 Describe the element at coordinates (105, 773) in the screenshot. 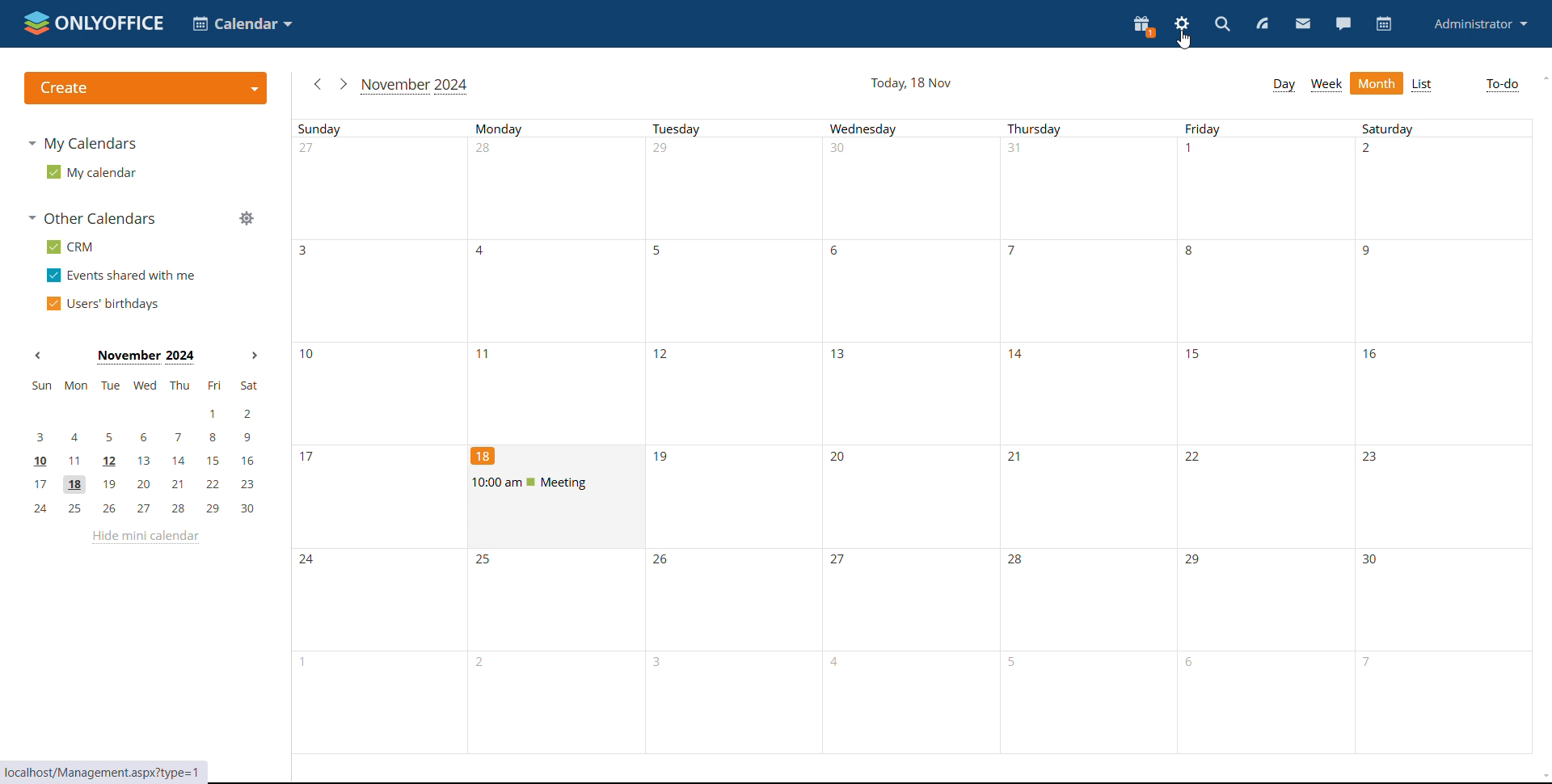

I see `web address` at that location.